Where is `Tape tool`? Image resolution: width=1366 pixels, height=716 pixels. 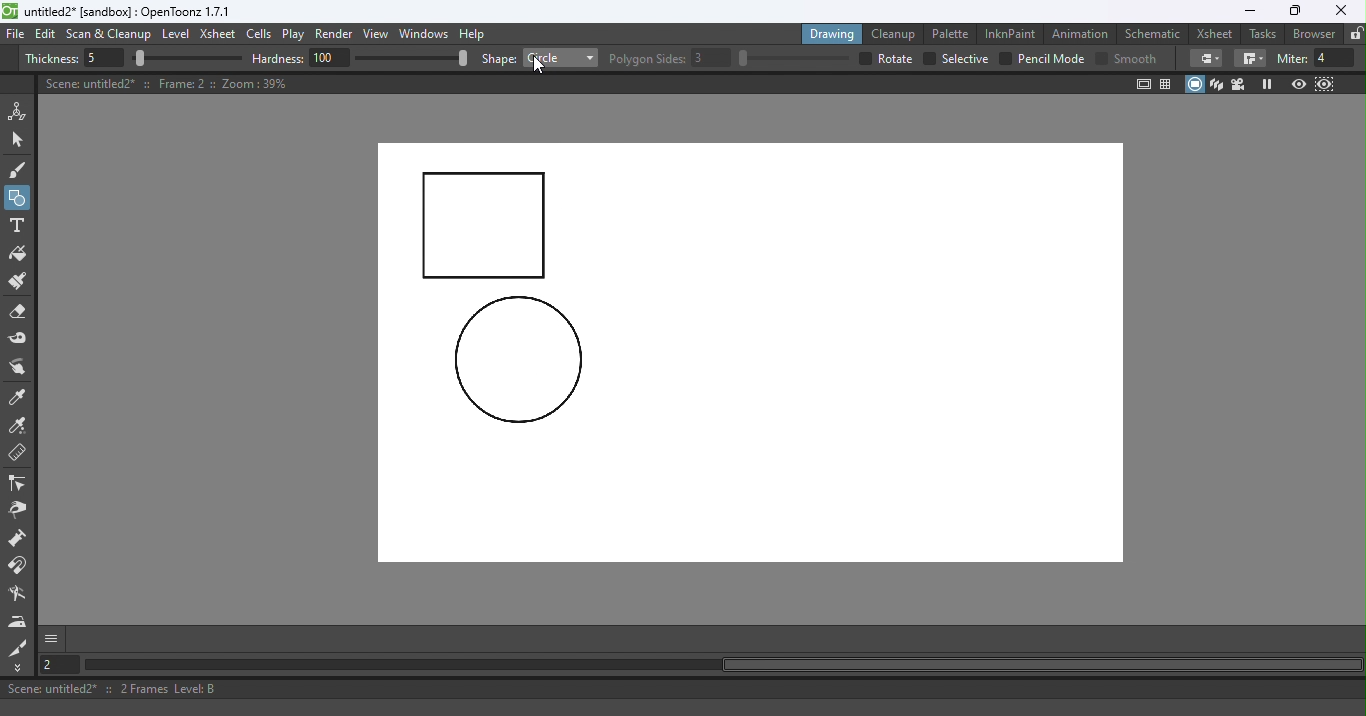 Tape tool is located at coordinates (21, 340).